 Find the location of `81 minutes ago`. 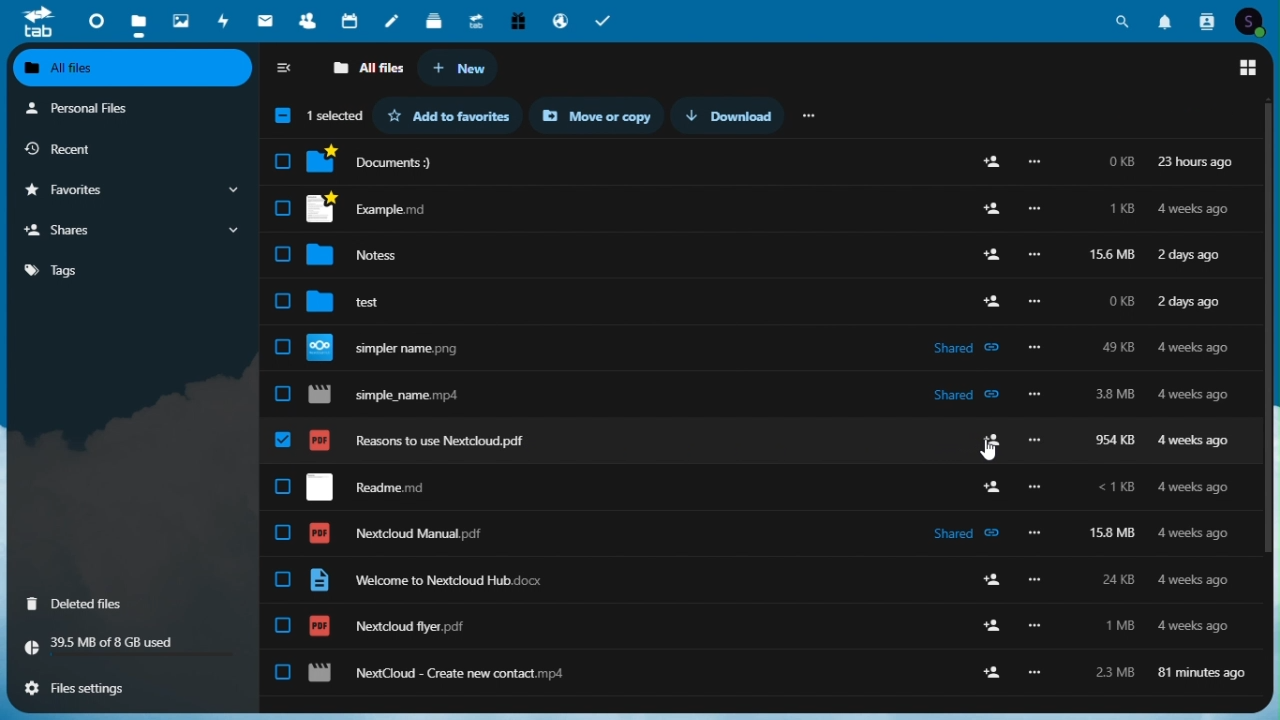

81 minutes ago is located at coordinates (1204, 670).